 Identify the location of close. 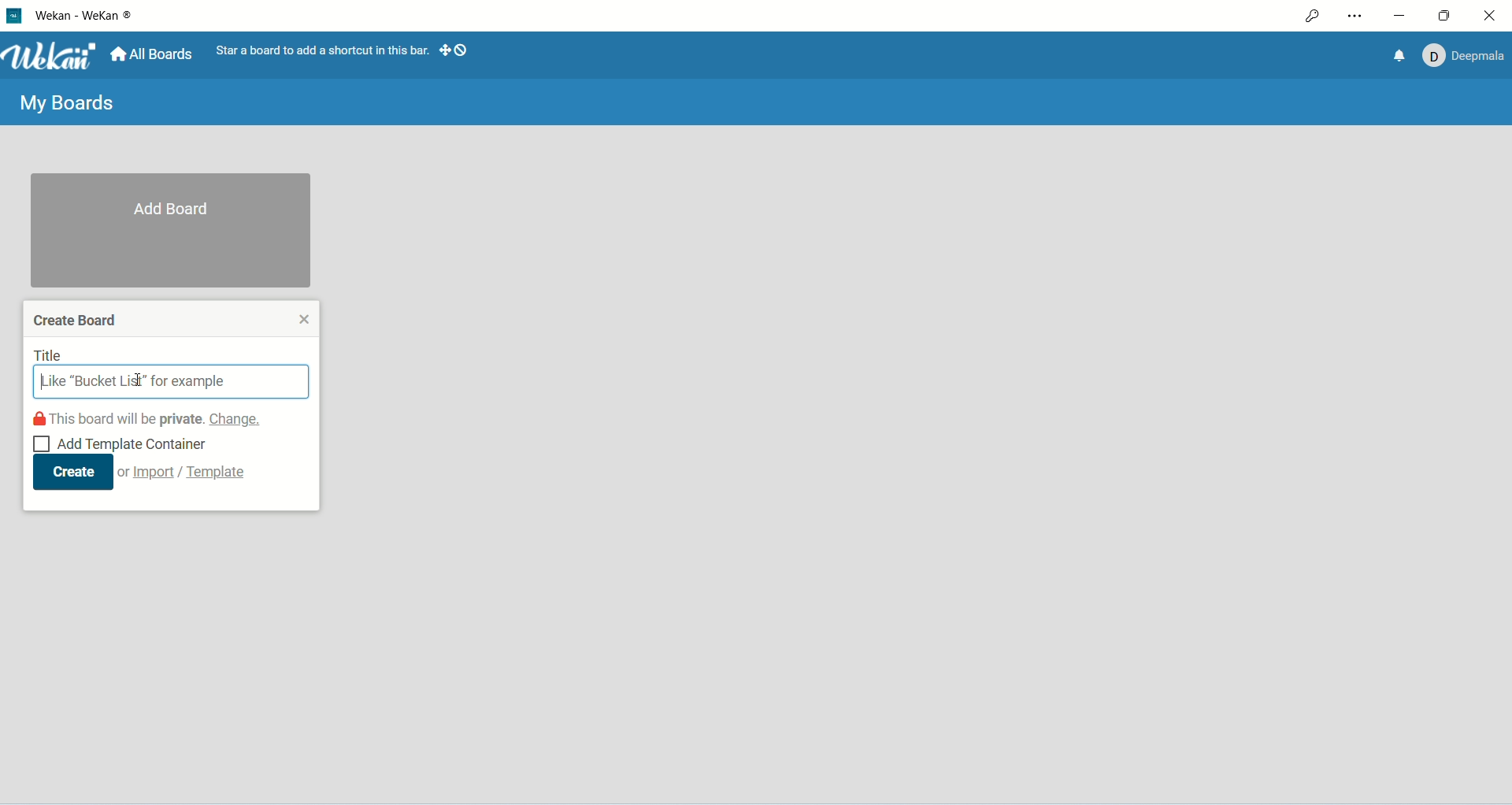
(304, 318).